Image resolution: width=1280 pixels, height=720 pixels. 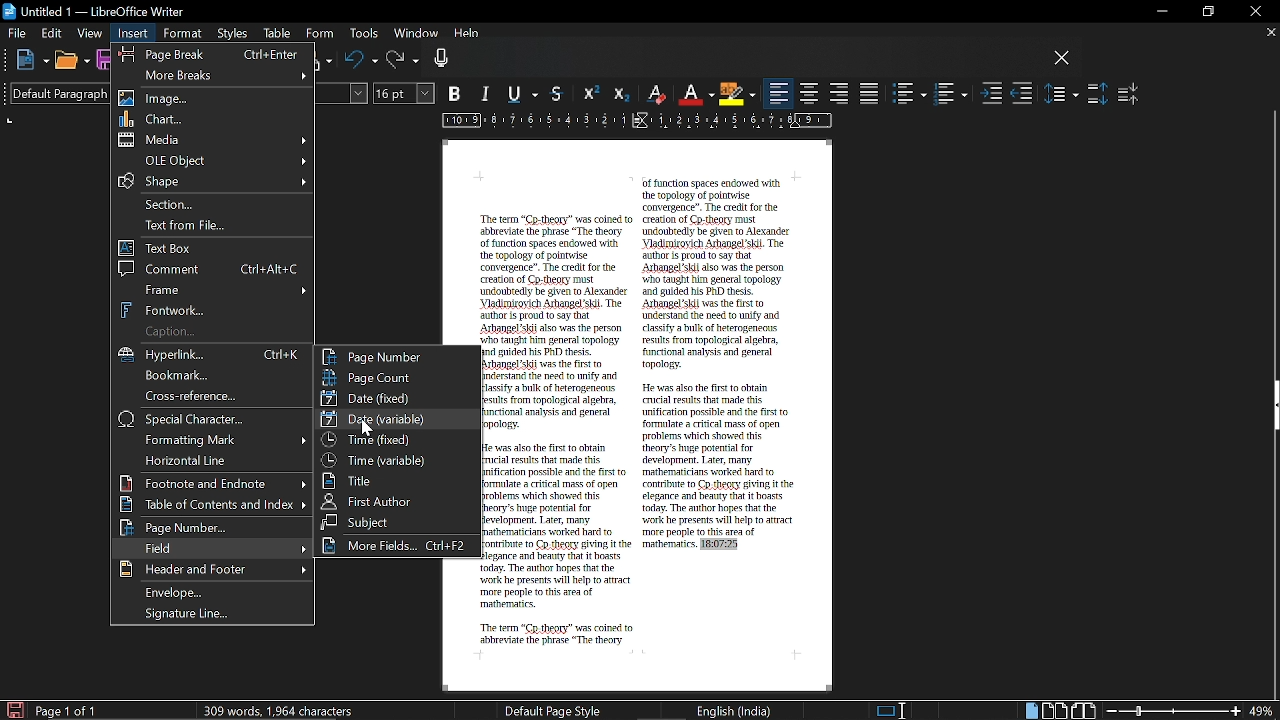 What do you see at coordinates (367, 429) in the screenshot?
I see `cursor` at bounding box center [367, 429].